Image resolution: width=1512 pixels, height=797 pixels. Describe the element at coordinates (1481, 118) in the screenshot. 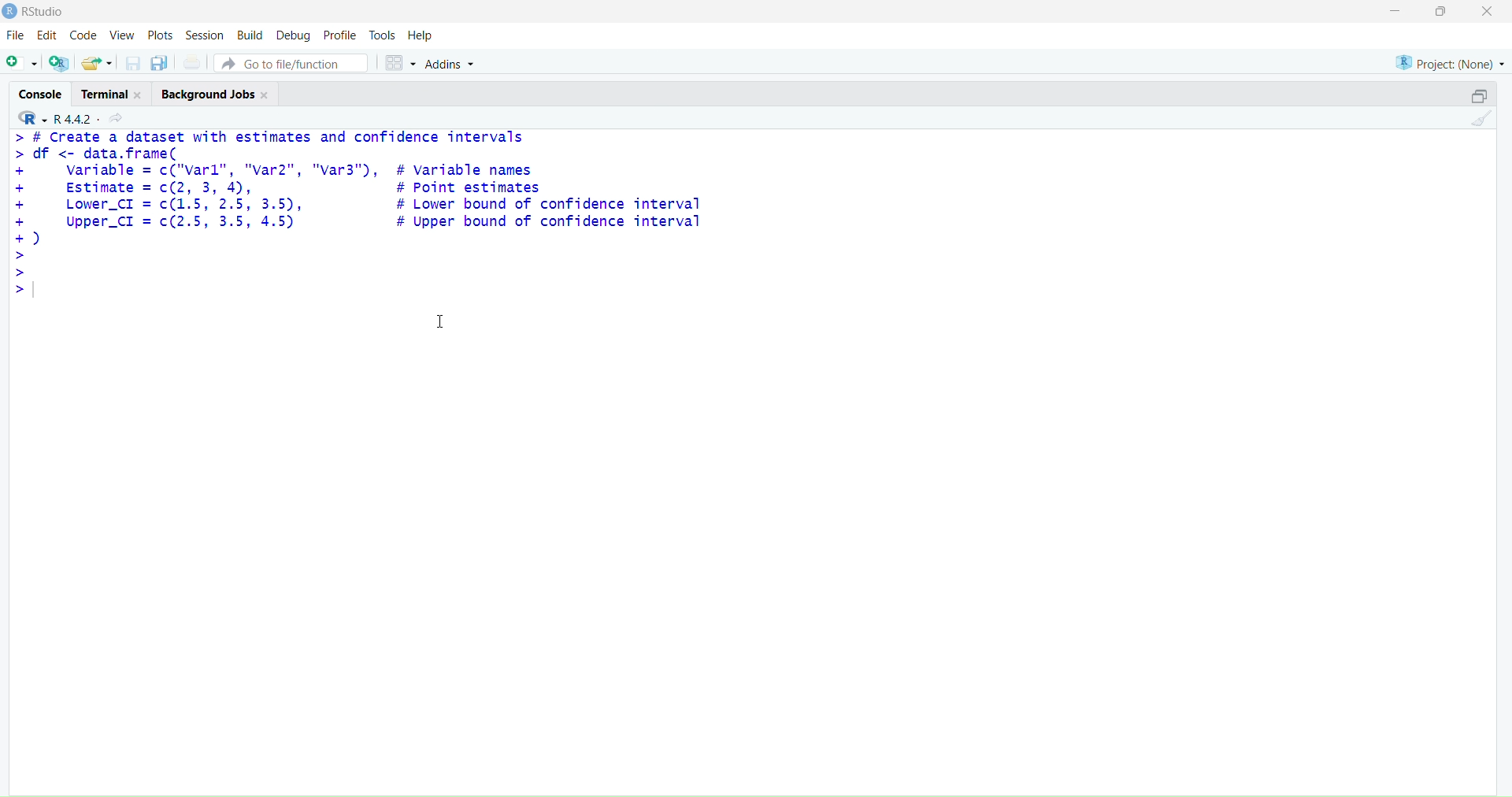

I see `clear console` at that location.